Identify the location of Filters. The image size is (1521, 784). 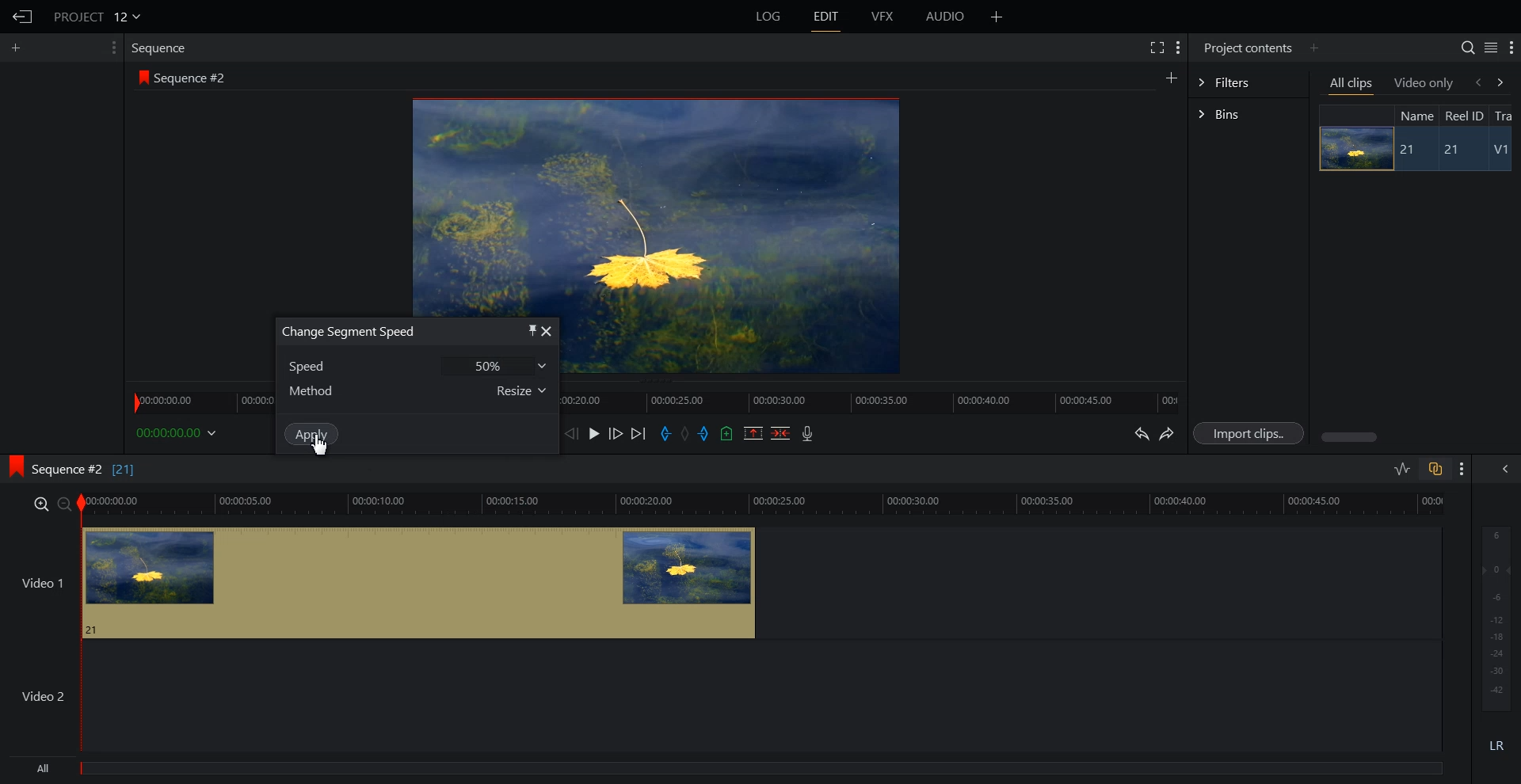
(1248, 81).